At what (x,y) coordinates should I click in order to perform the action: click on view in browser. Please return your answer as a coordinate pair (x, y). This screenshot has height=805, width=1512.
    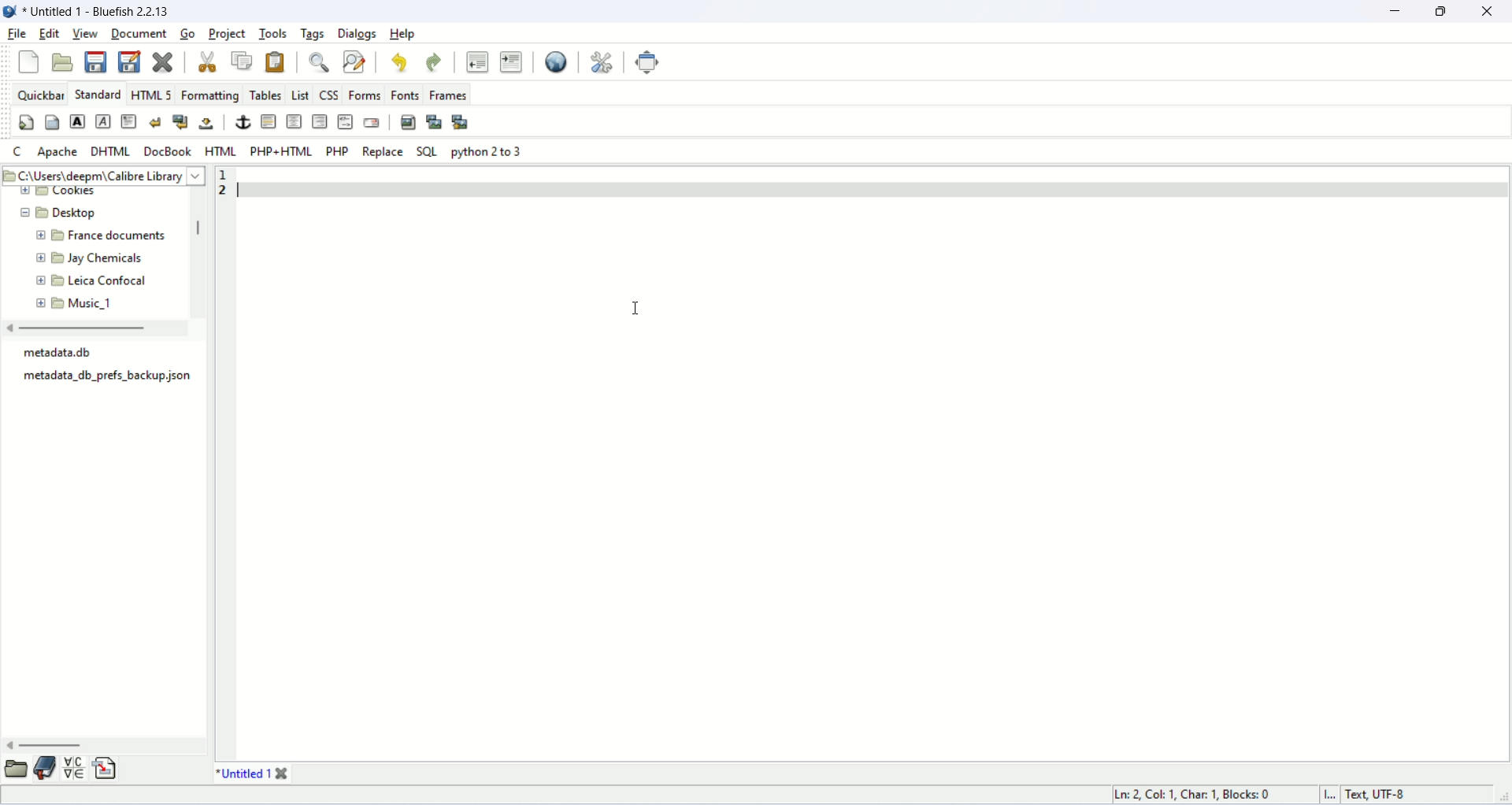
    Looking at the image, I should click on (555, 63).